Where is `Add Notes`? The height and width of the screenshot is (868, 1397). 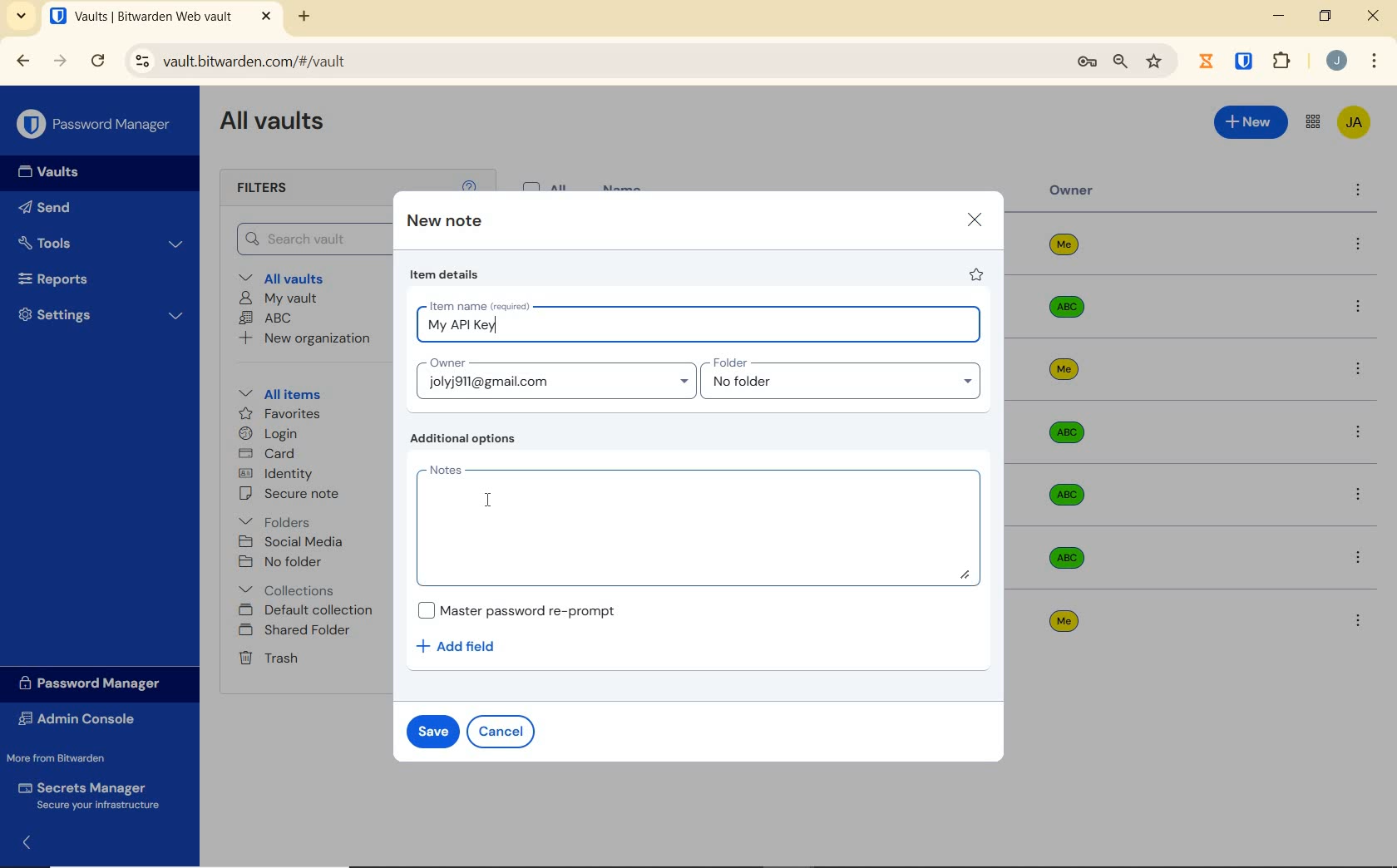
Add Notes is located at coordinates (701, 525).